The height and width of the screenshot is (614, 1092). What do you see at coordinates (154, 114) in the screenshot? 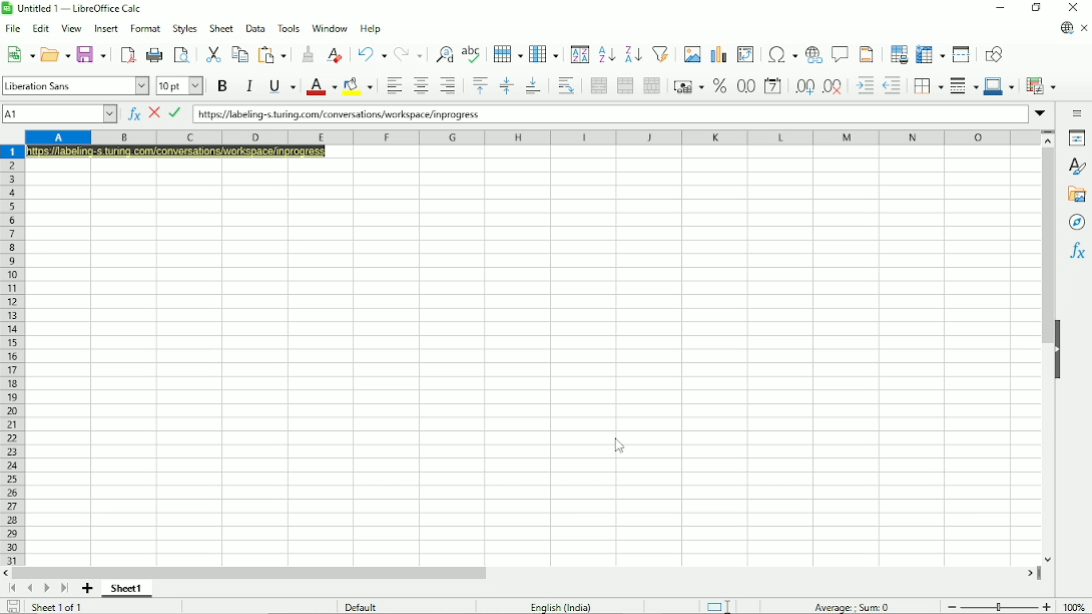
I see `Cancel` at bounding box center [154, 114].